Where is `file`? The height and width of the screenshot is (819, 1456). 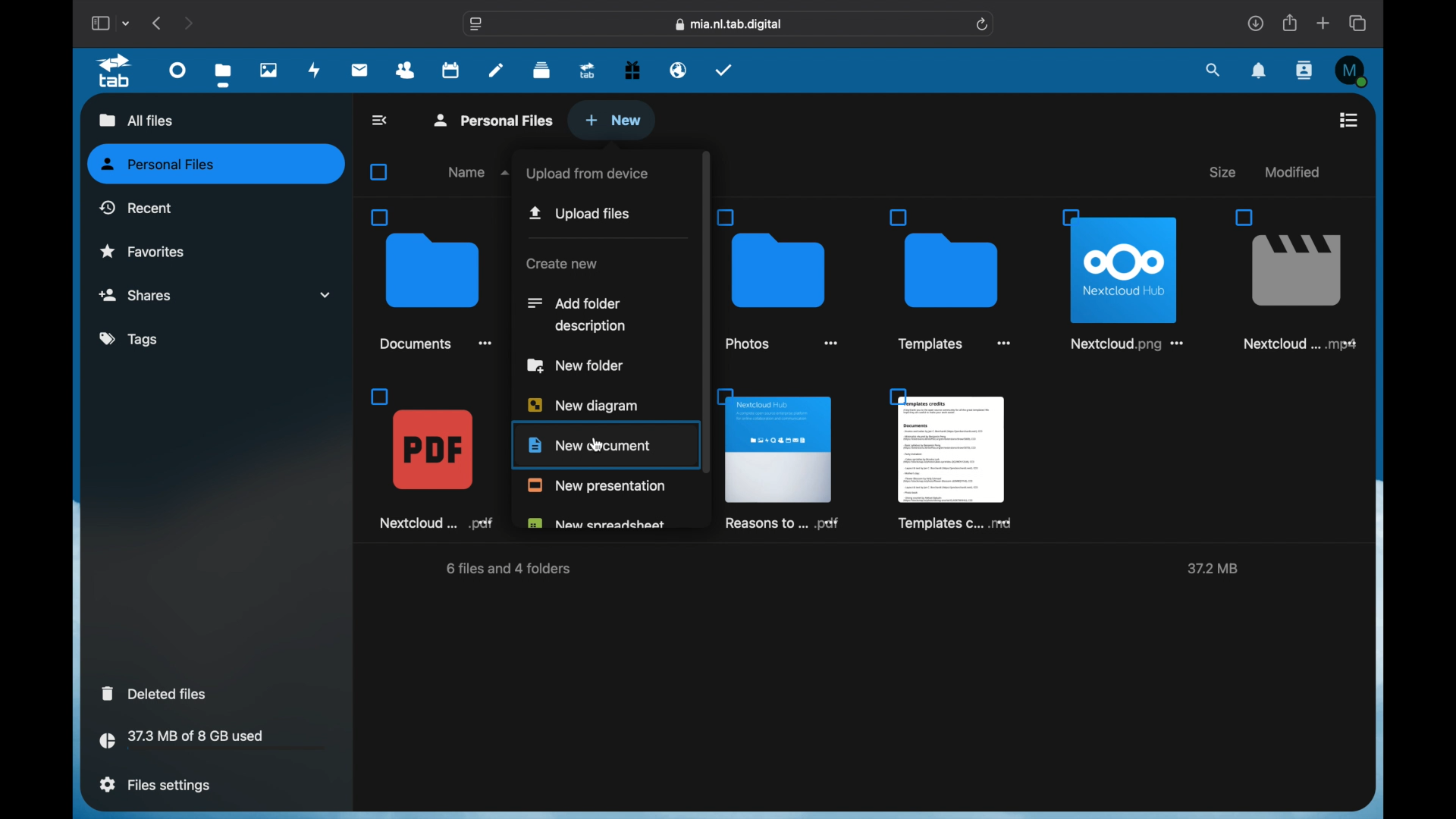
file is located at coordinates (1127, 276).